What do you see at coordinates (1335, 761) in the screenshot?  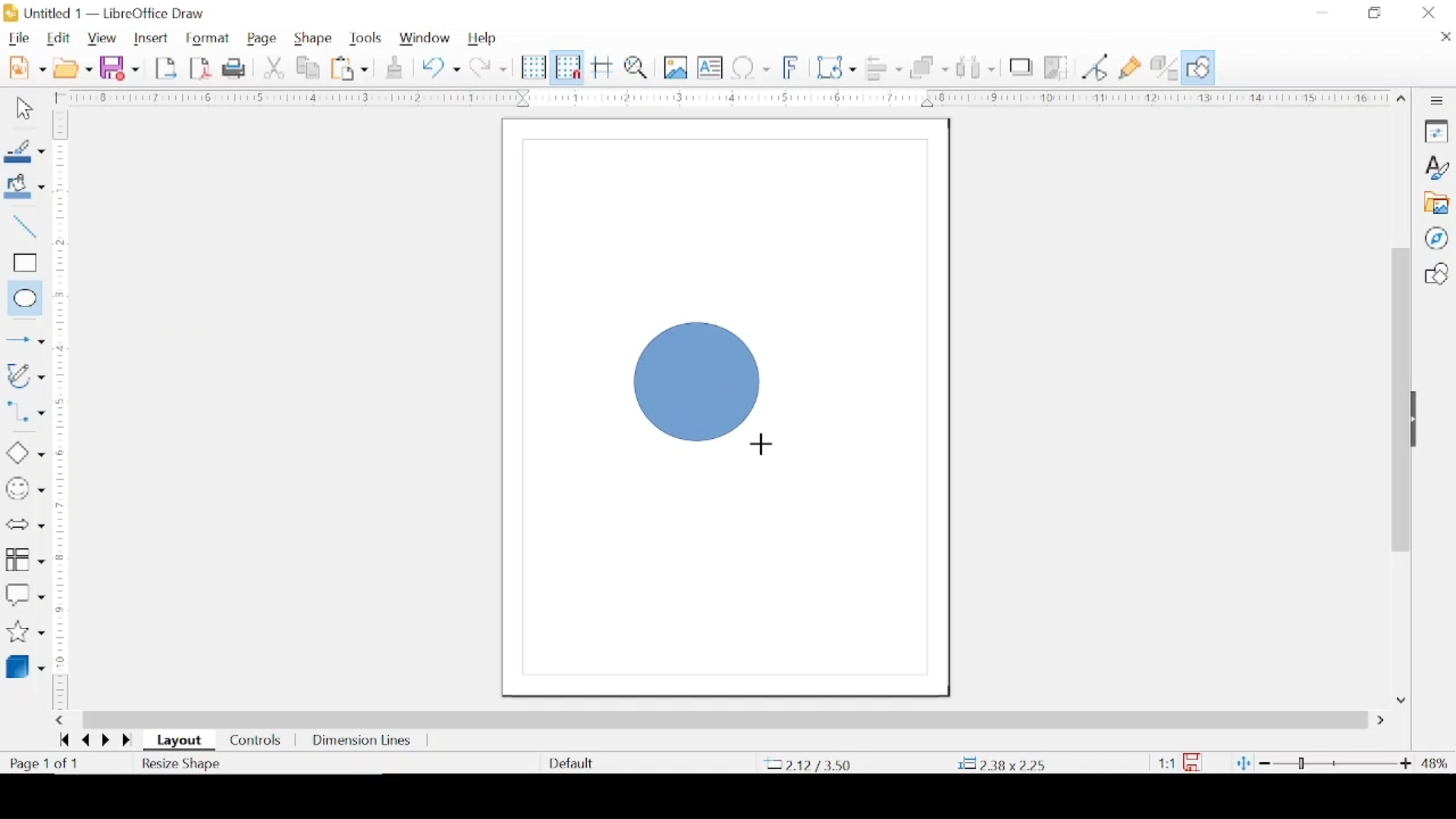 I see `zoom slider` at bounding box center [1335, 761].